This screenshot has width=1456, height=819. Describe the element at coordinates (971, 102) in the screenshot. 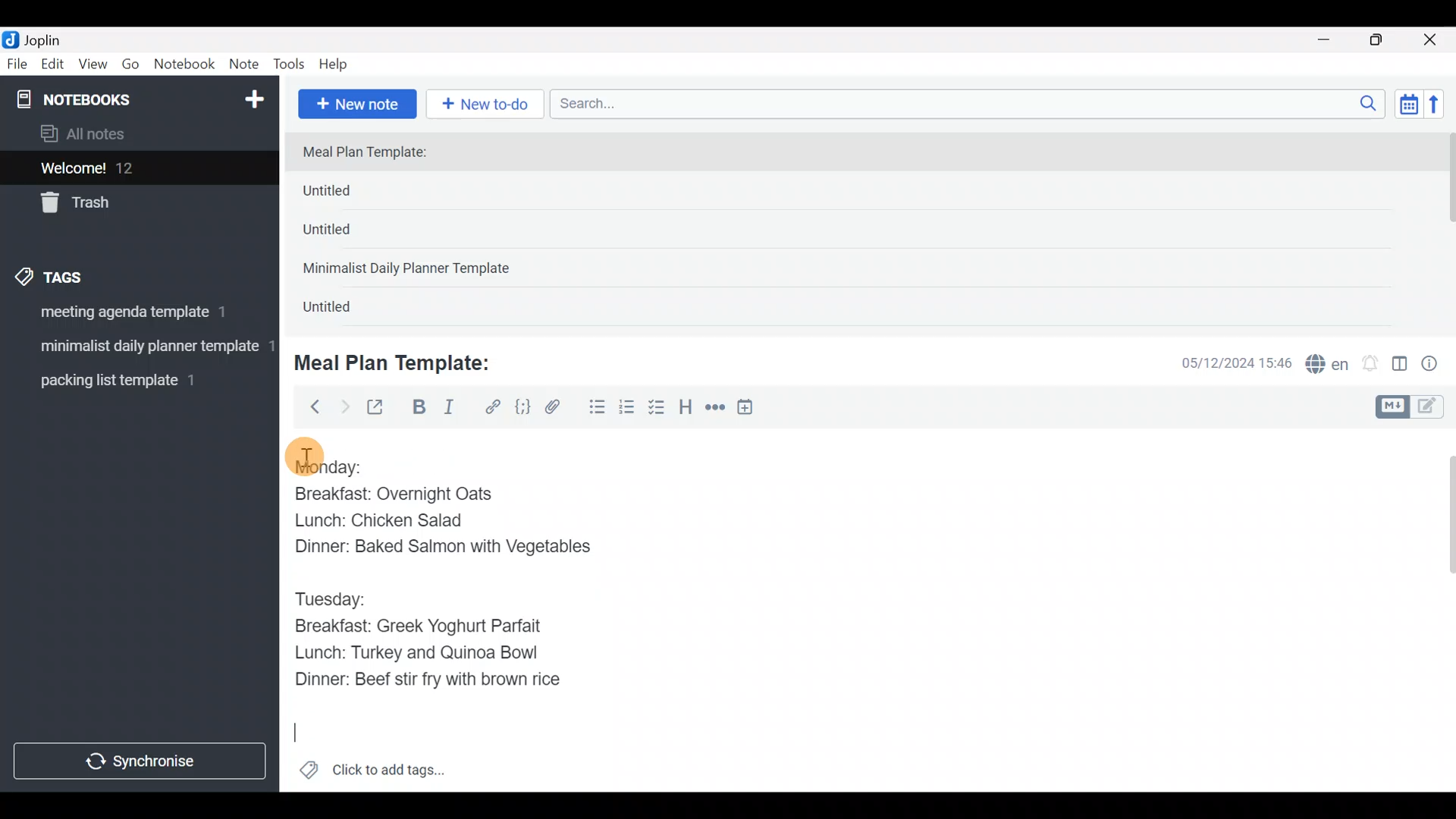

I see `Search bar` at that location.